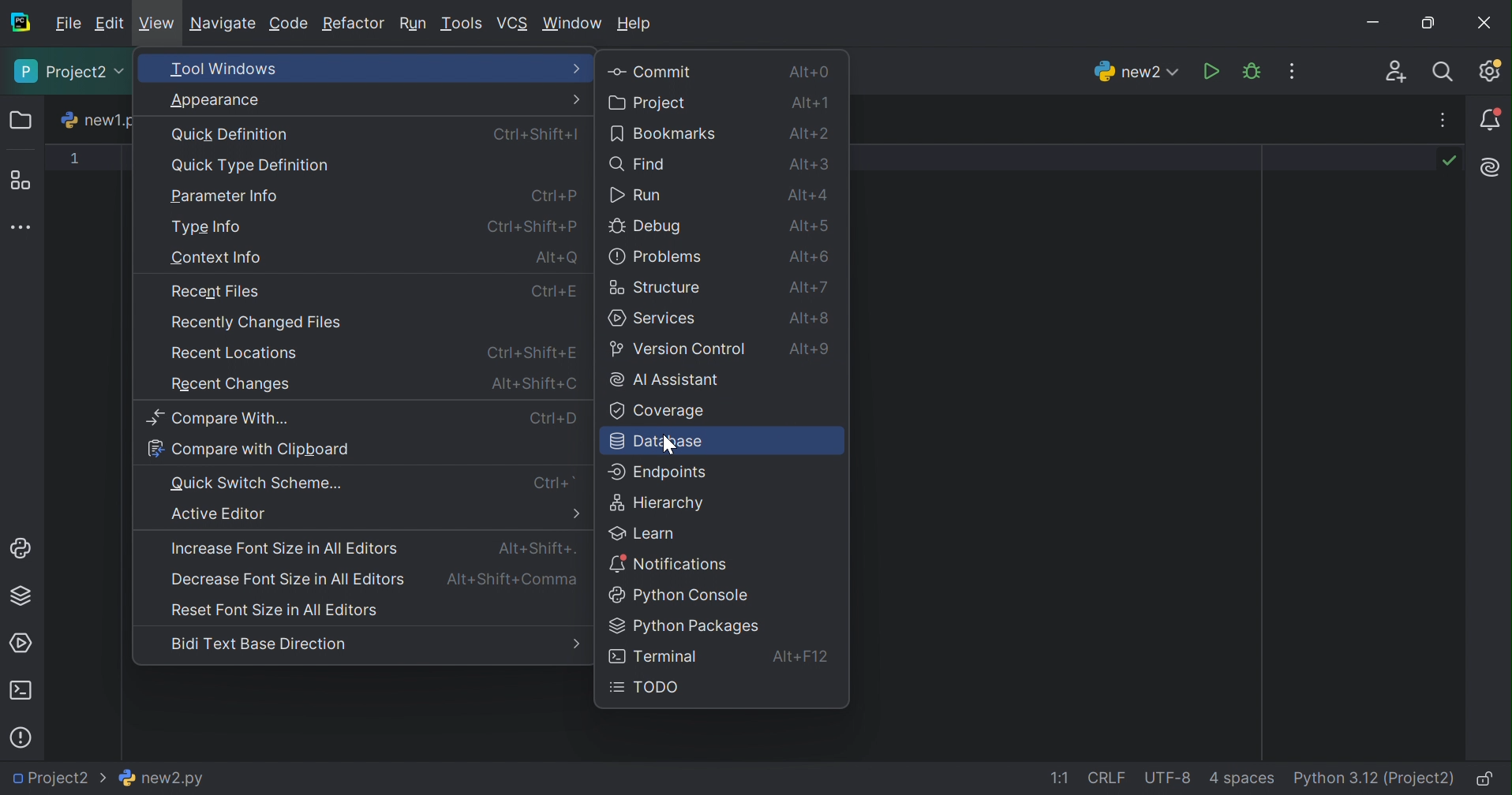 The height and width of the screenshot is (795, 1512). I want to click on PyCharm icon, so click(17, 21).